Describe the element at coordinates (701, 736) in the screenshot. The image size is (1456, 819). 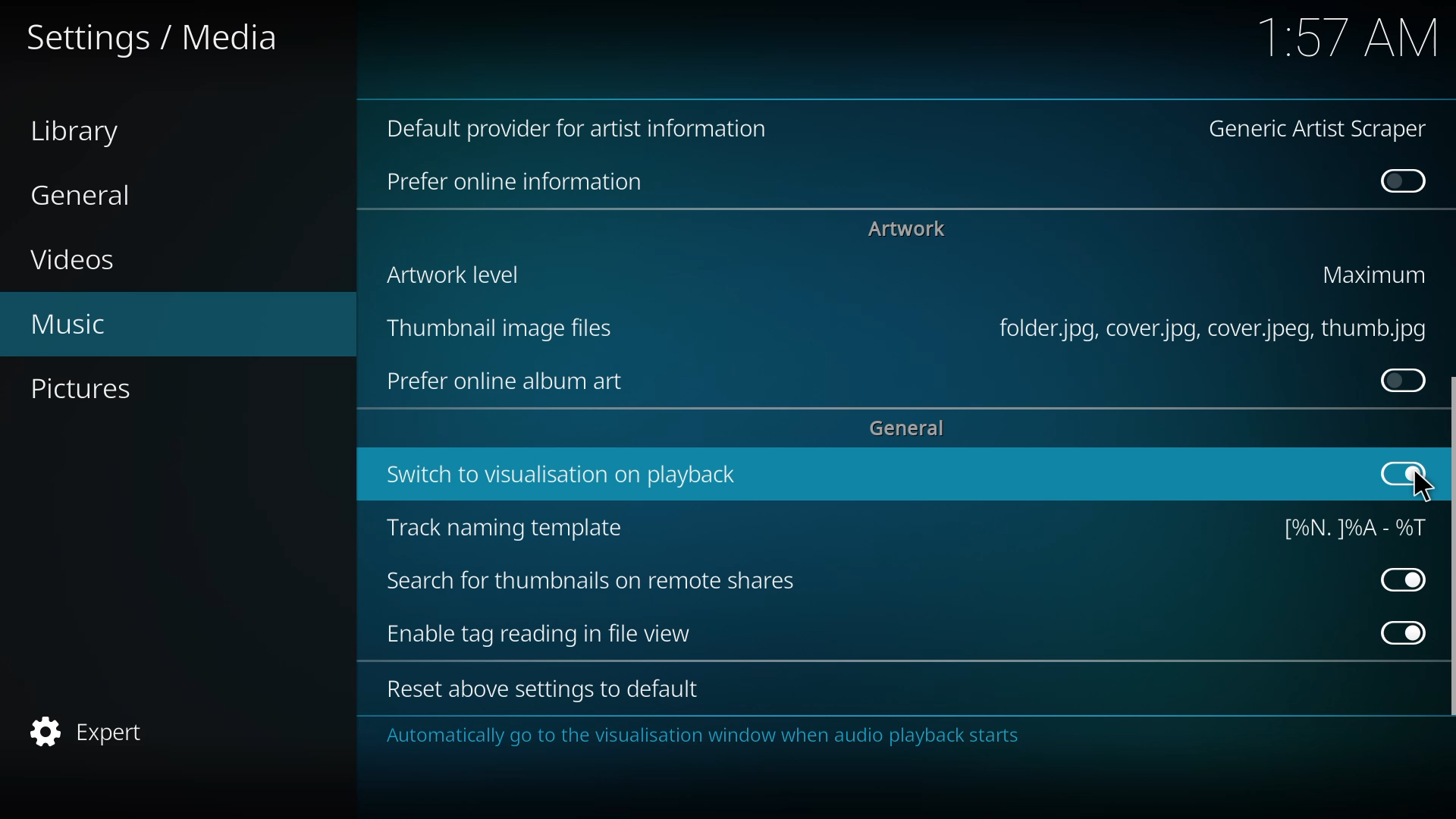
I see `info` at that location.